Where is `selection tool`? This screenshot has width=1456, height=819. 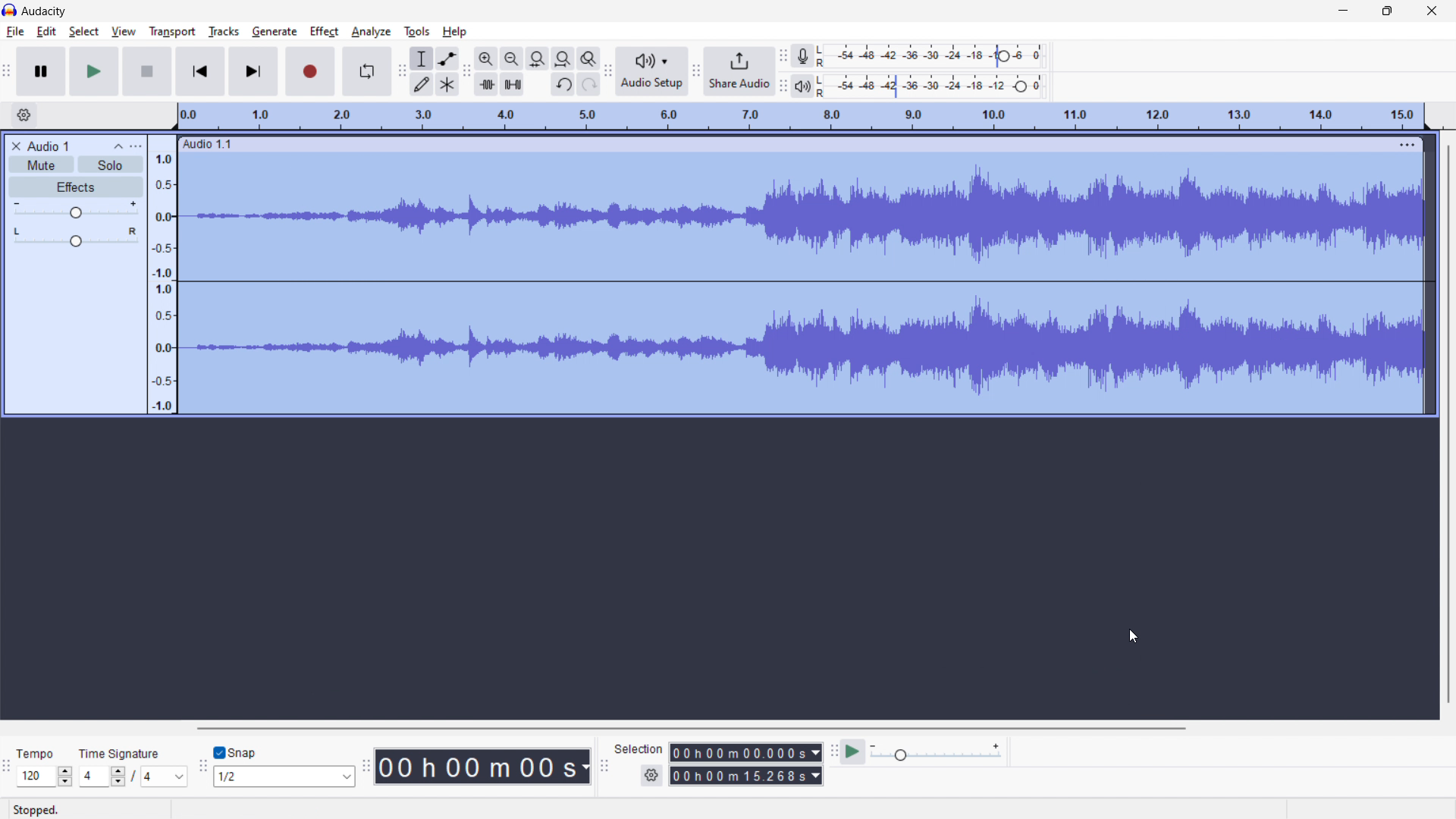
selection tool is located at coordinates (421, 58).